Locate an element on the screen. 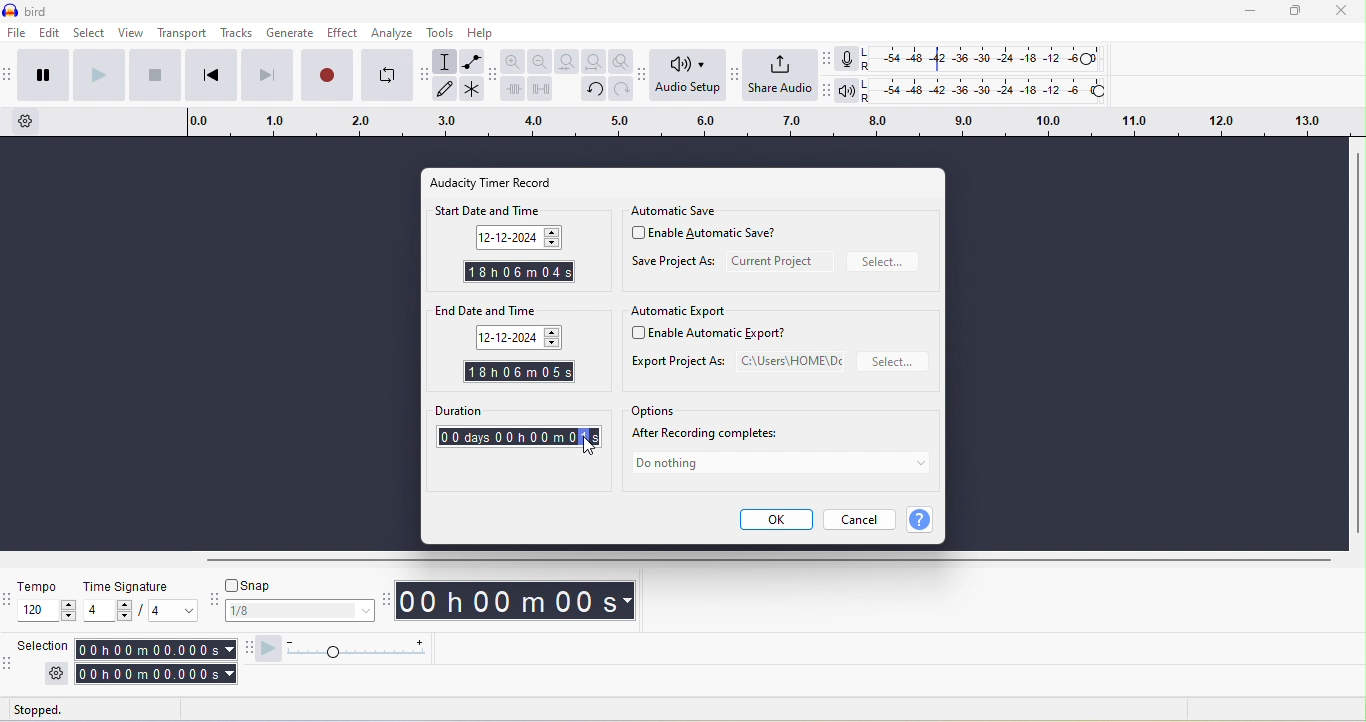  transport is located at coordinates (183, 33).